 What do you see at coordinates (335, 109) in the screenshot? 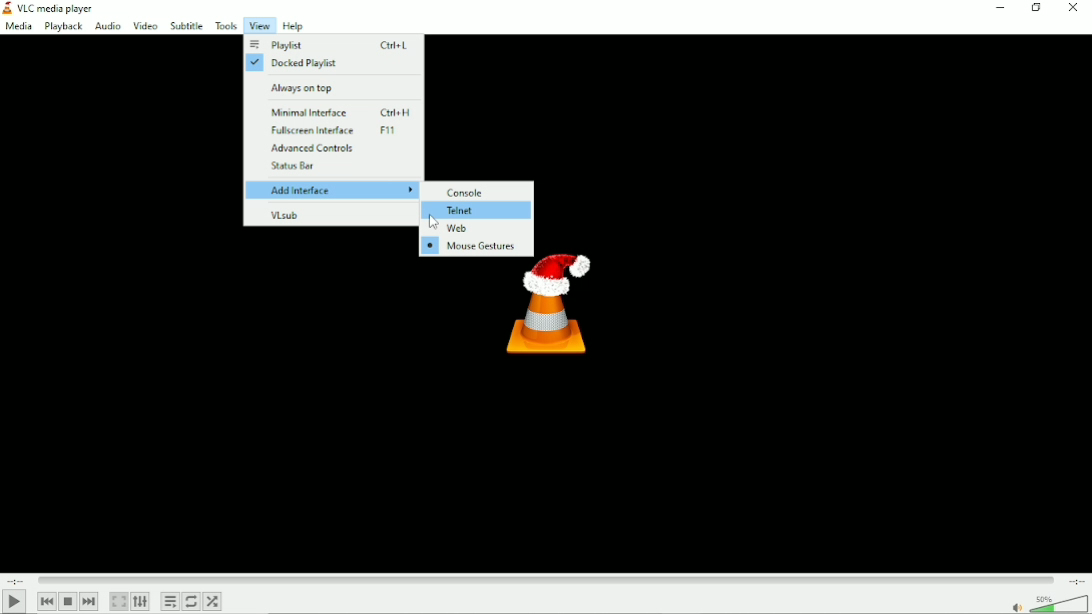
I see `Minimal interface` at bounding box center [335, 109].